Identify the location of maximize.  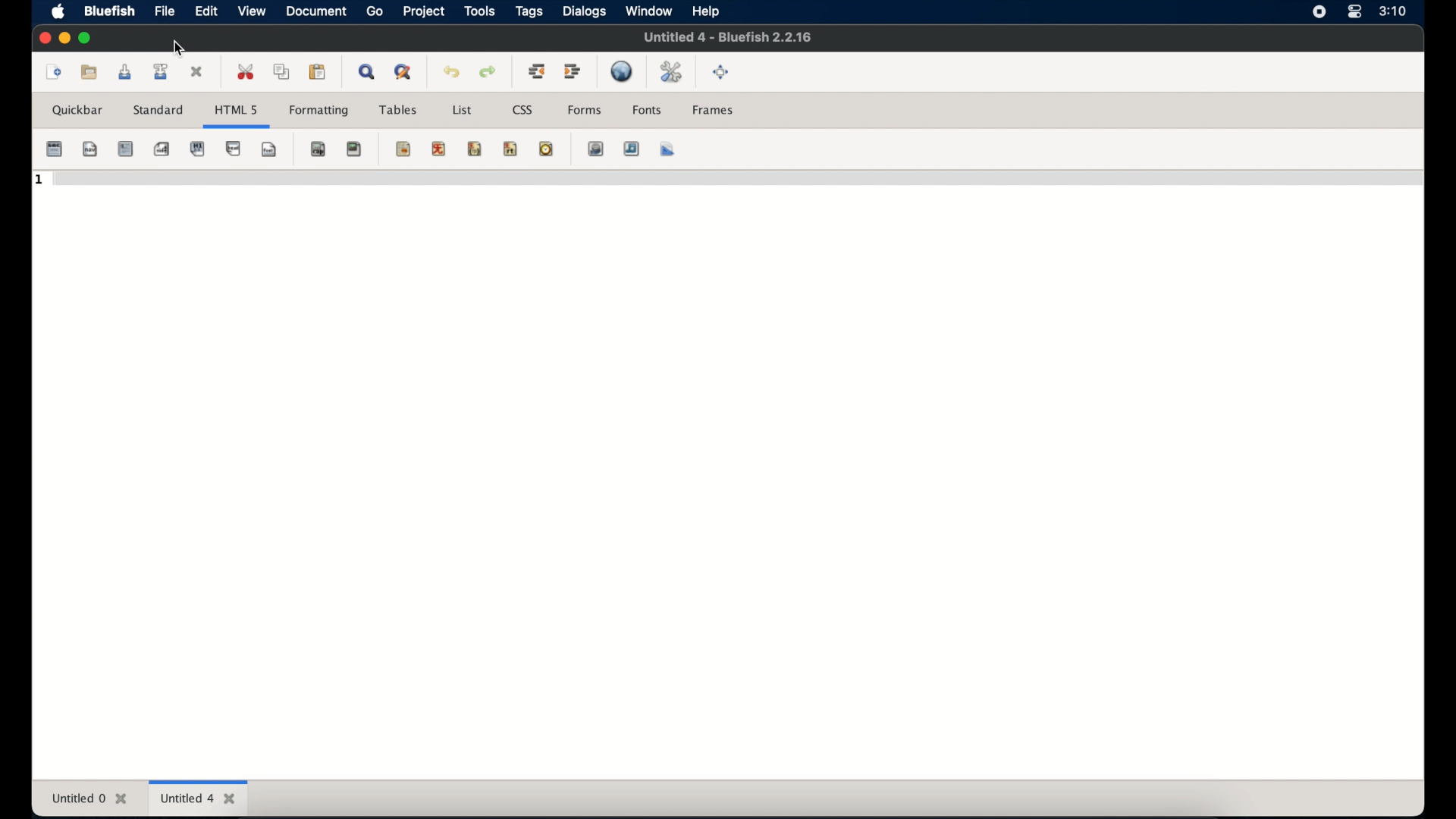
(86, 38).